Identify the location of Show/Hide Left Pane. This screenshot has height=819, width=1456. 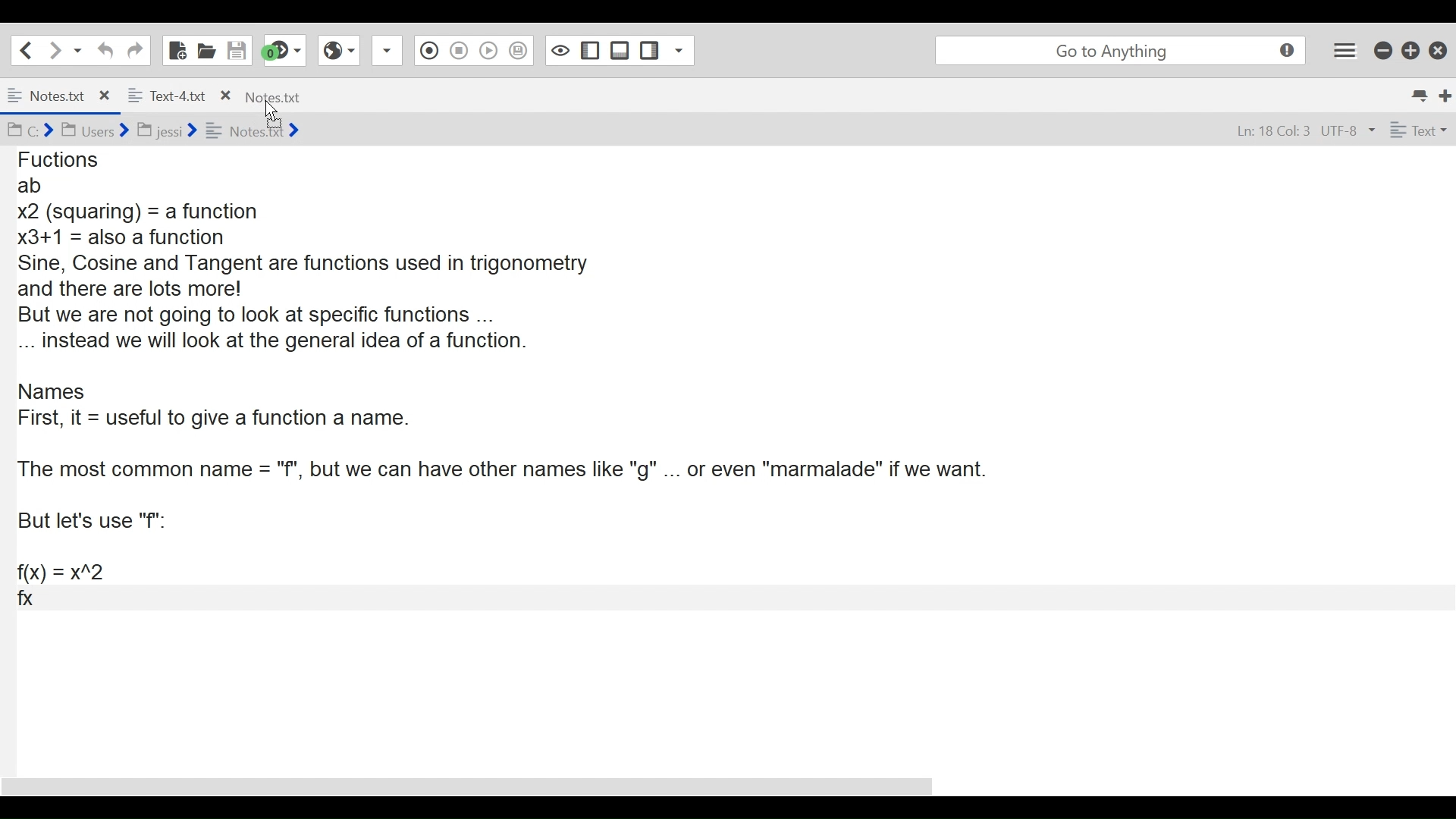
(588, 50).